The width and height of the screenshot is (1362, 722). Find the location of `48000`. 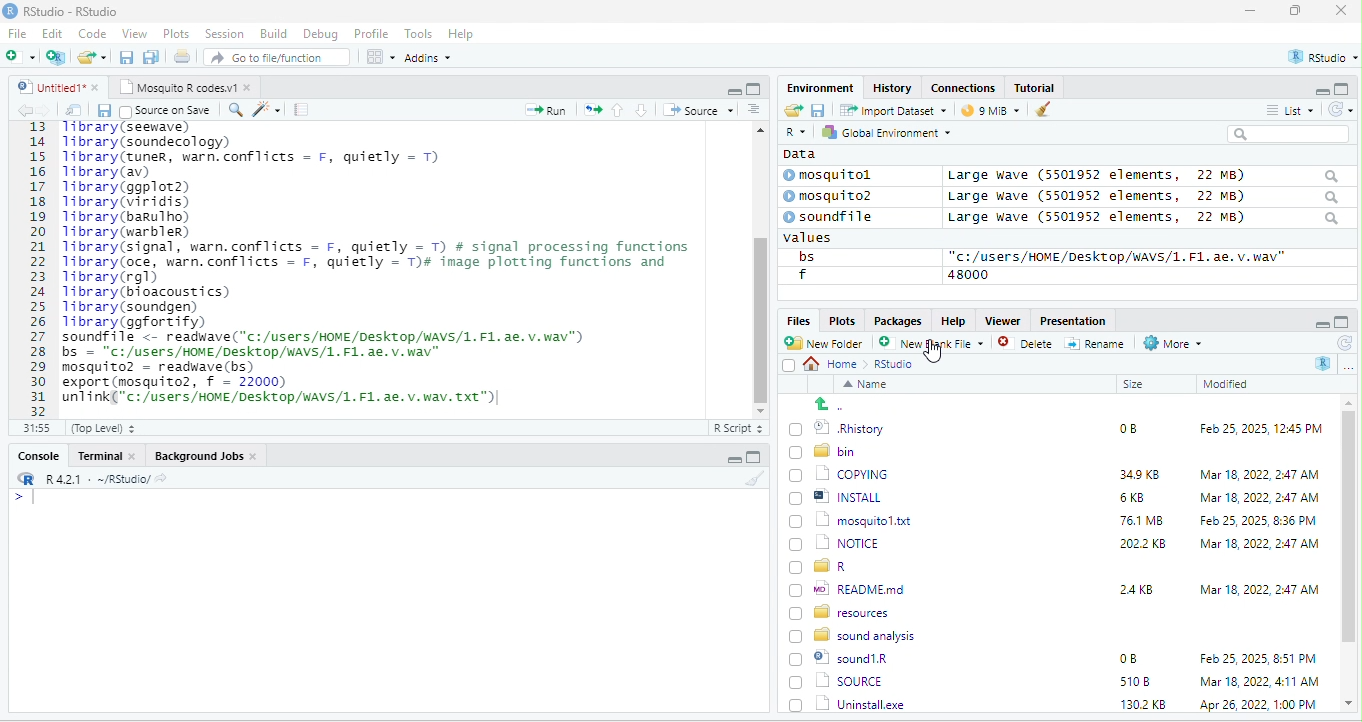

48000 is located at coordinates (969, 274).